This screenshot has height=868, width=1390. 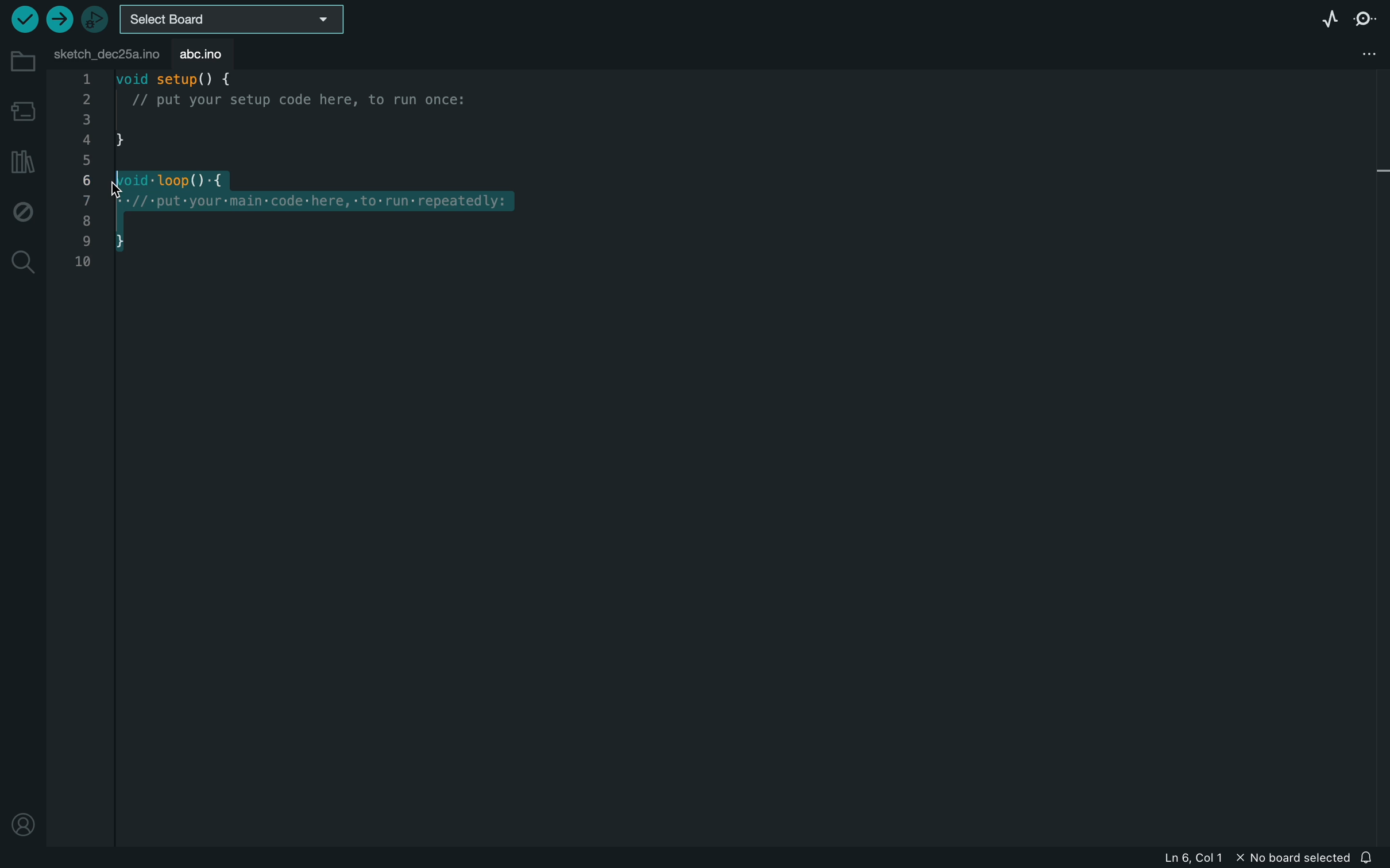 What do you see at coordinates (234, 18) in the screenshot?
I see `board selecter` at bounding box center [234, 18].